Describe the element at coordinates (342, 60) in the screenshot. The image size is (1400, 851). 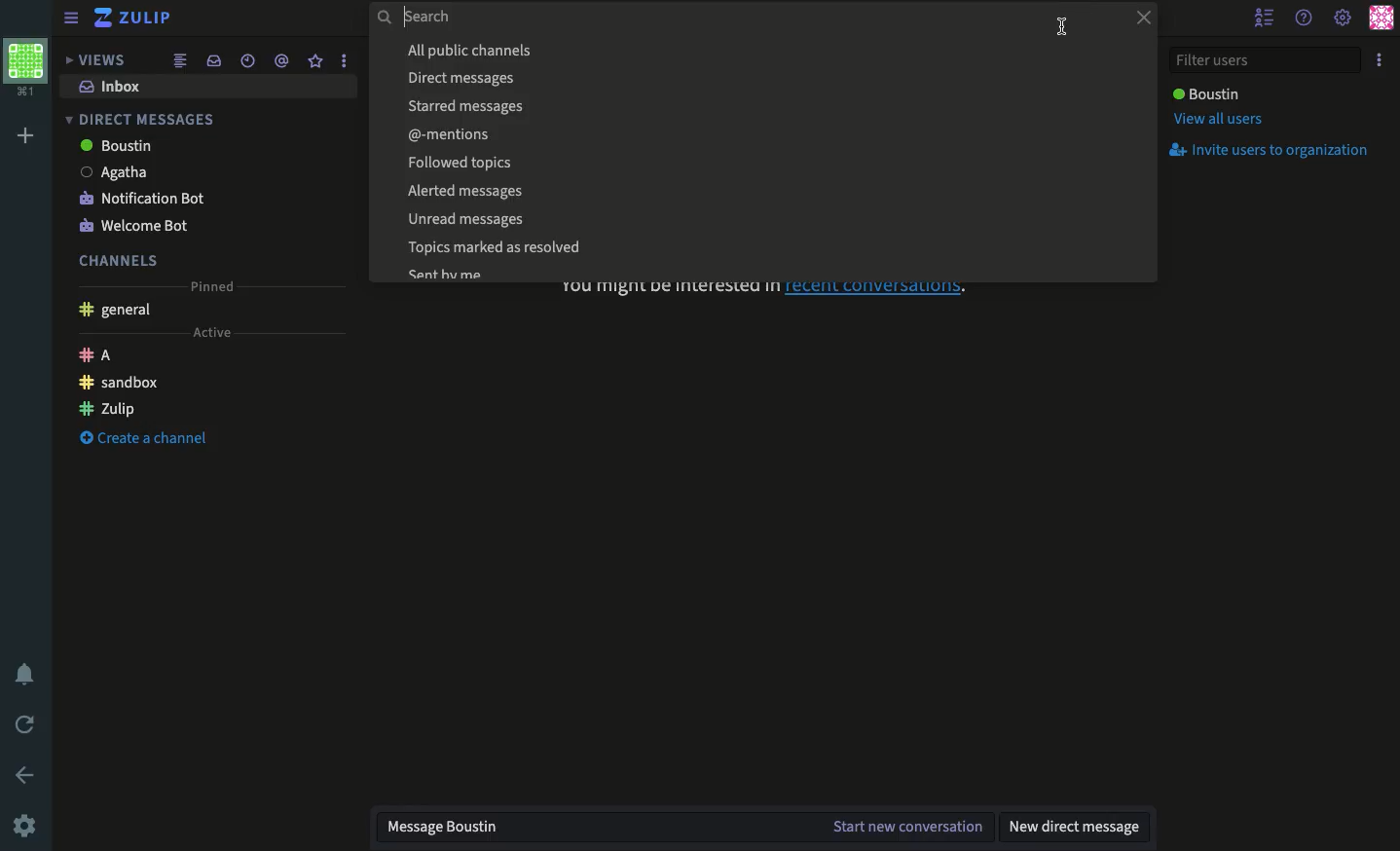
I see `Options` at that location.